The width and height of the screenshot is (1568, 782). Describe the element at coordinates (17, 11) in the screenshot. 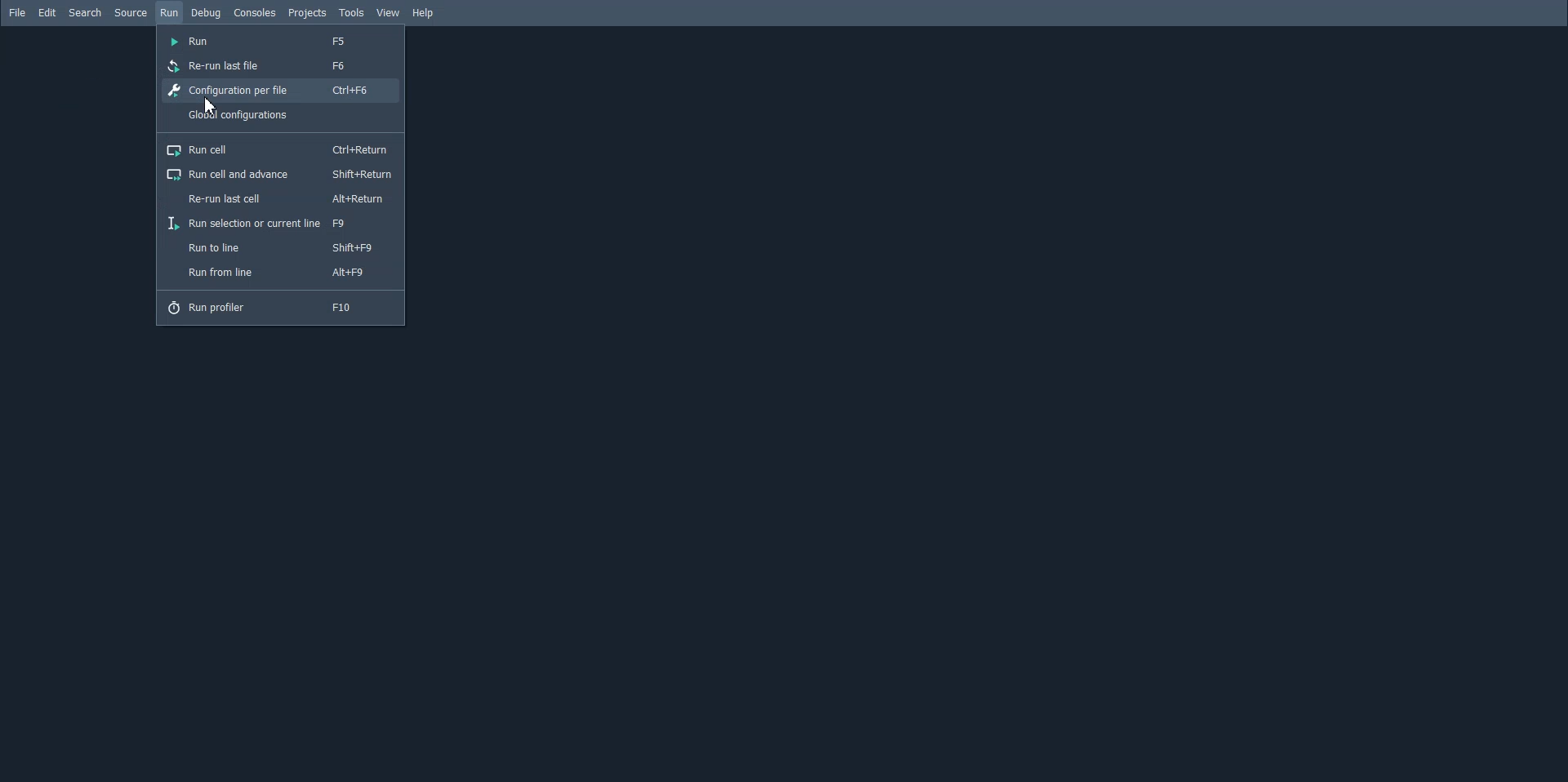

I see `File` at that location.